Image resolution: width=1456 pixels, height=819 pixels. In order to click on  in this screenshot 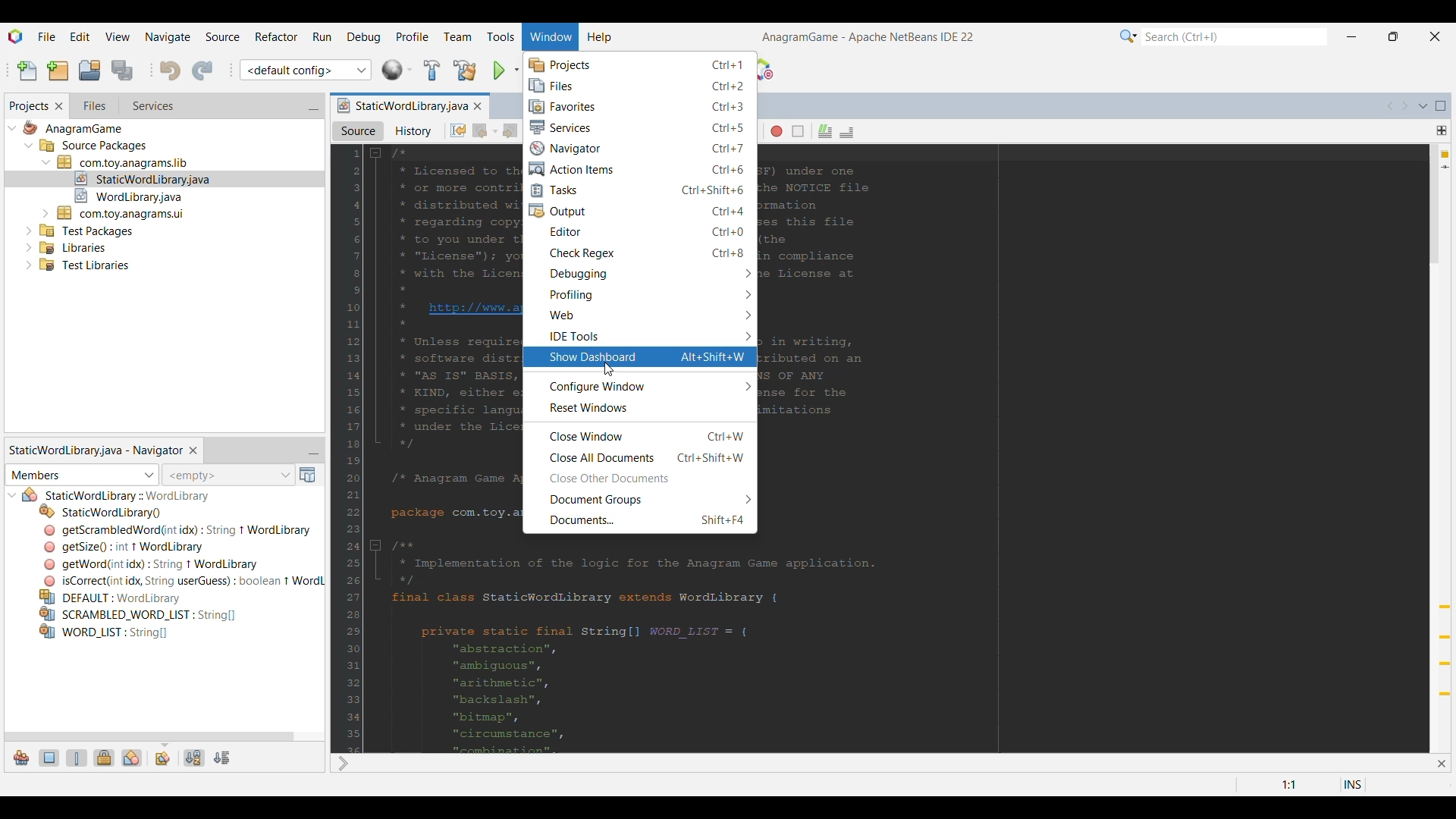, I will do `click(144, 177)`.